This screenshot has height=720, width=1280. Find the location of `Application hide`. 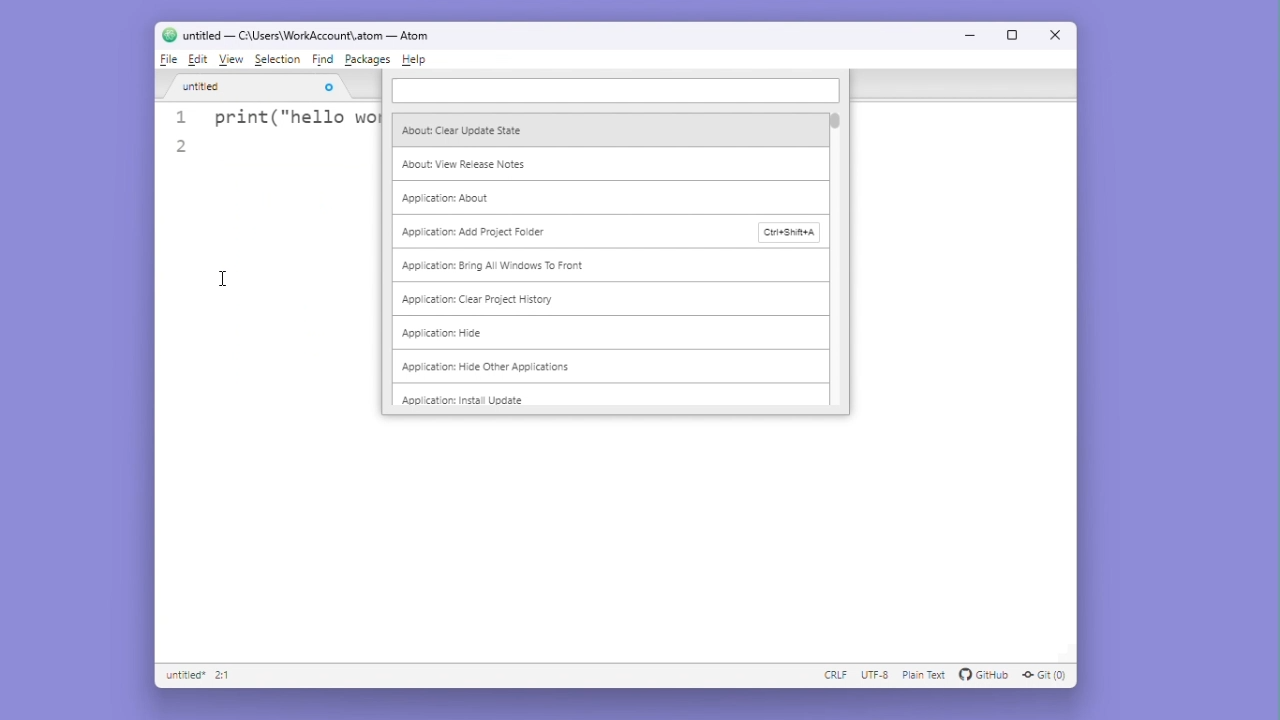

Application hide is located at coordinates (444, 333).